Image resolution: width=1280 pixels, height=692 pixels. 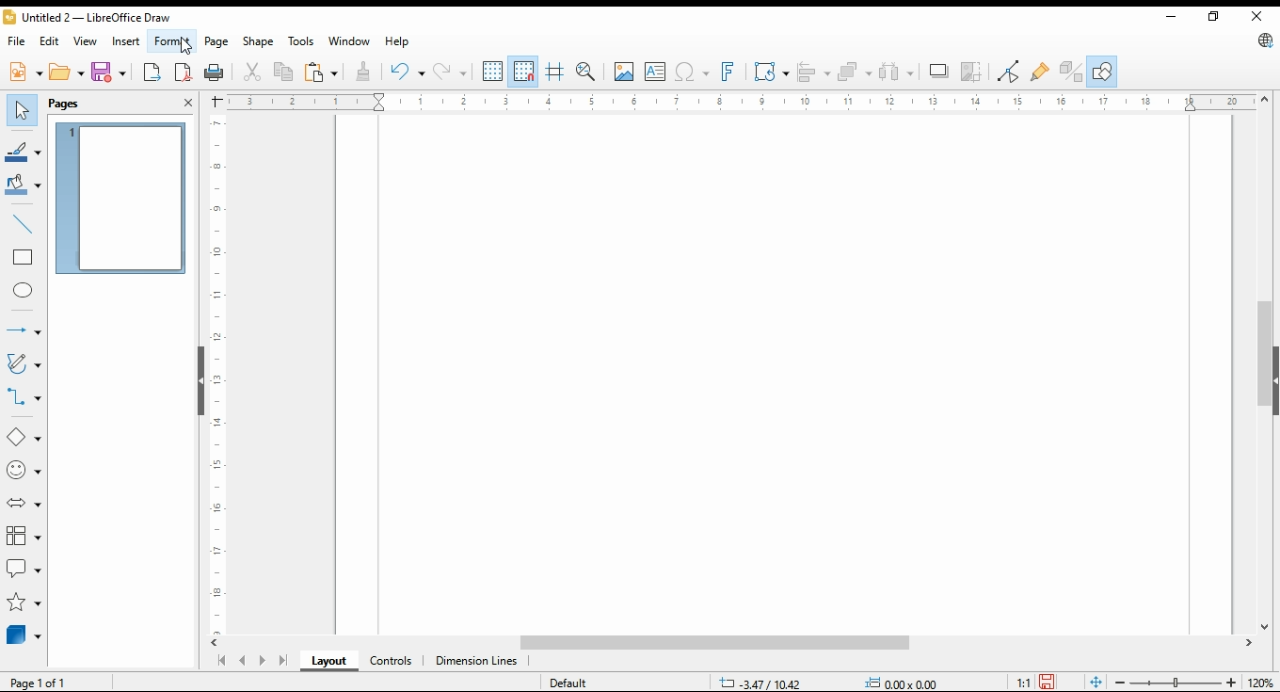 What do you see at coordinates (22, 256) in the screenshot?
I see `rectangle` at bounding box center [22, 256].